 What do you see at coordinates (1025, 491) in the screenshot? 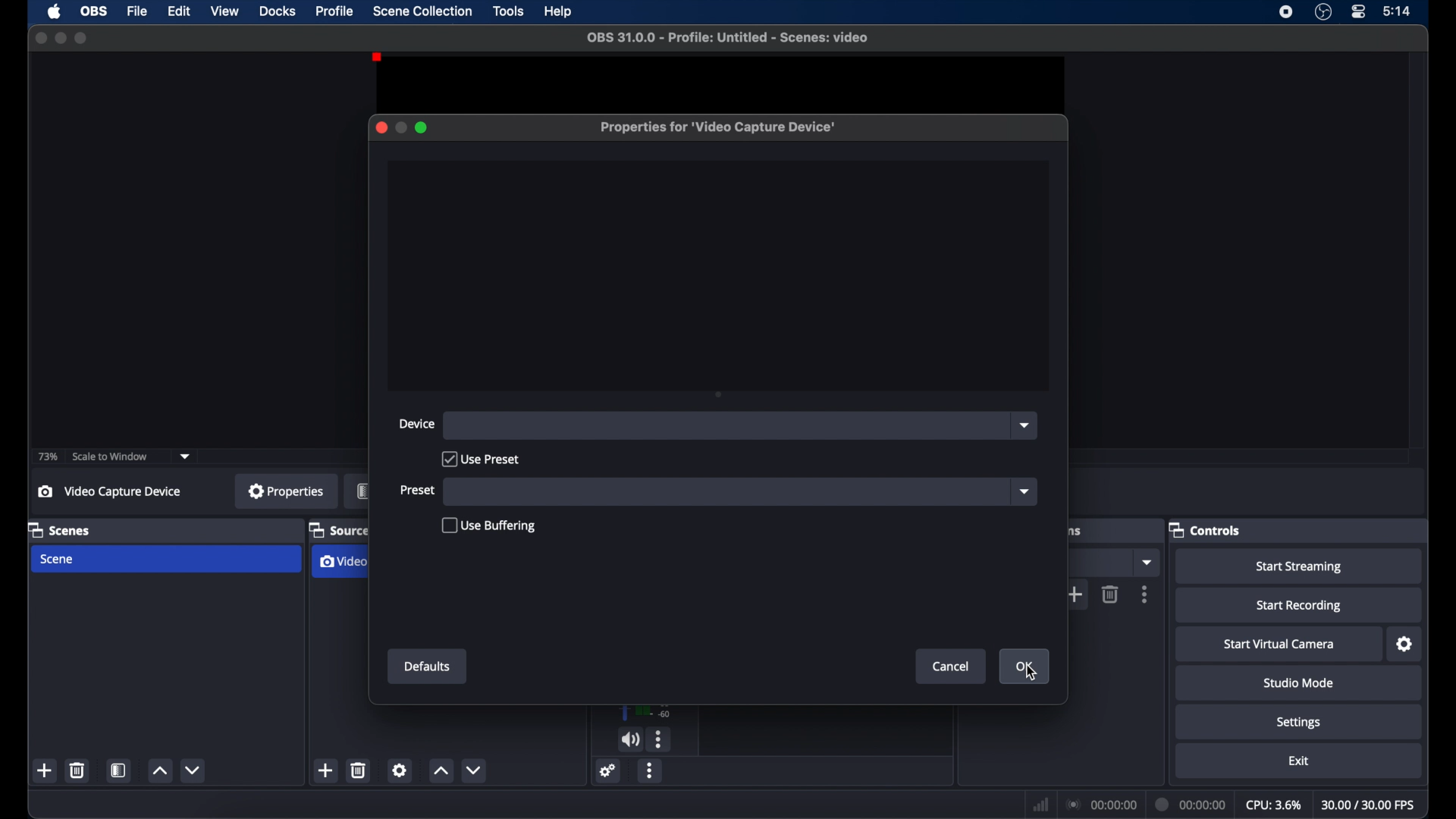
I see `dropdown` at bounding box center [1025, 491].